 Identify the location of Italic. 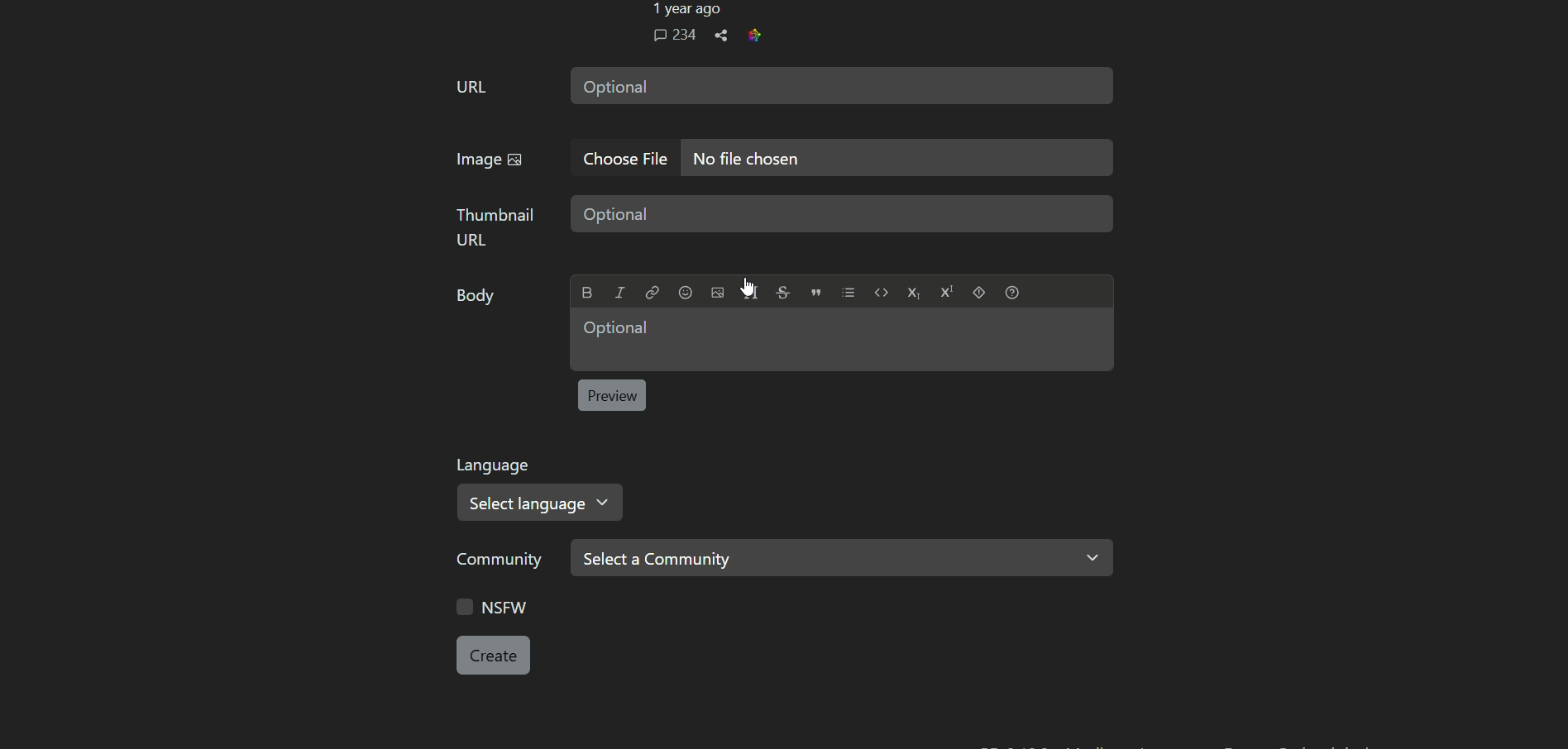
(619, 293).